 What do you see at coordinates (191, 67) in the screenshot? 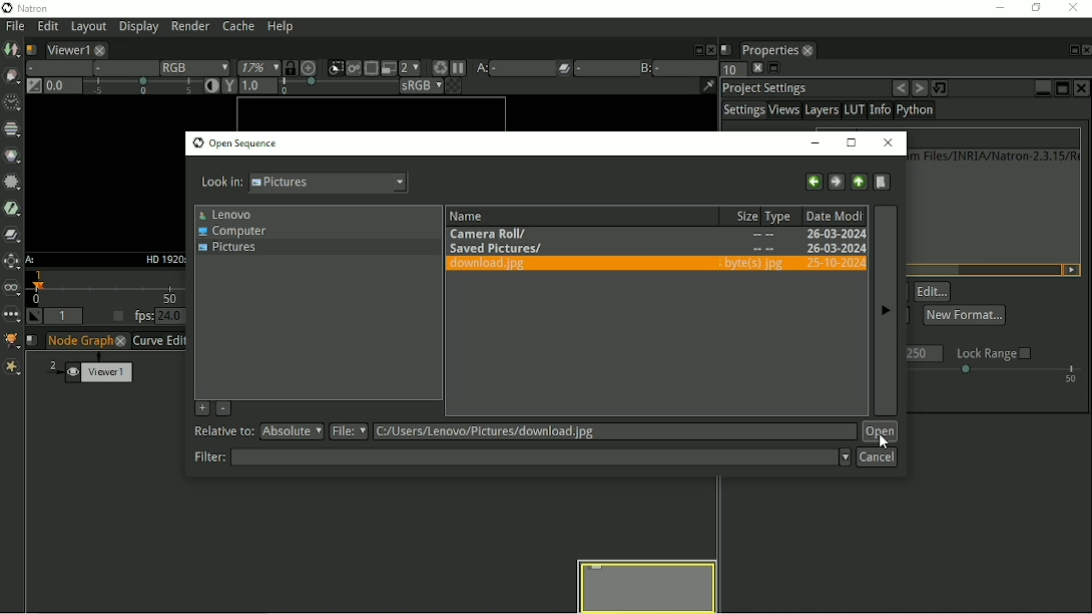
I see `RGB` at bounding box center [191, 67].